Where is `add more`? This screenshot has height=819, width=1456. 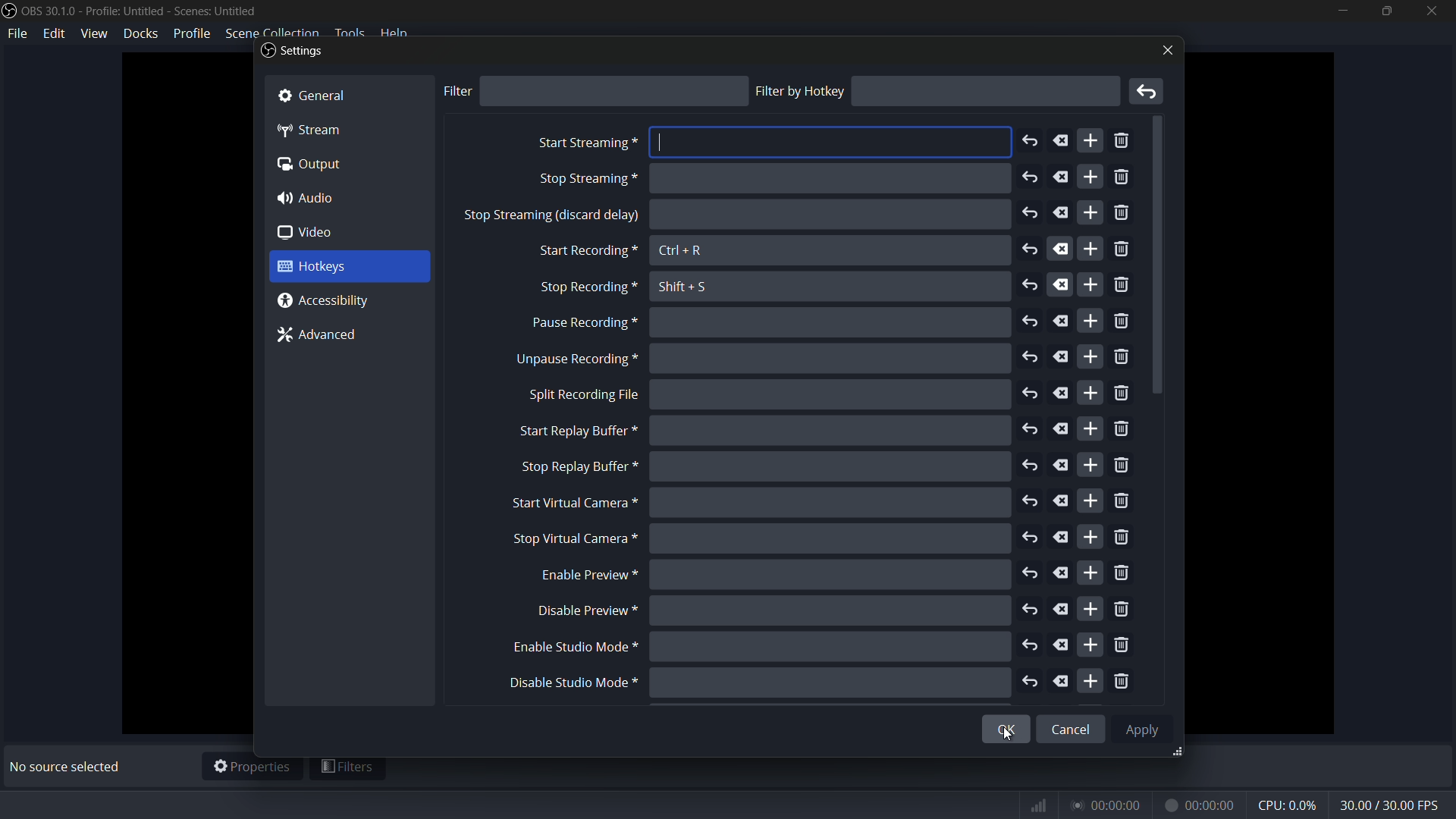
add more is located at coordinates (1092, 536).